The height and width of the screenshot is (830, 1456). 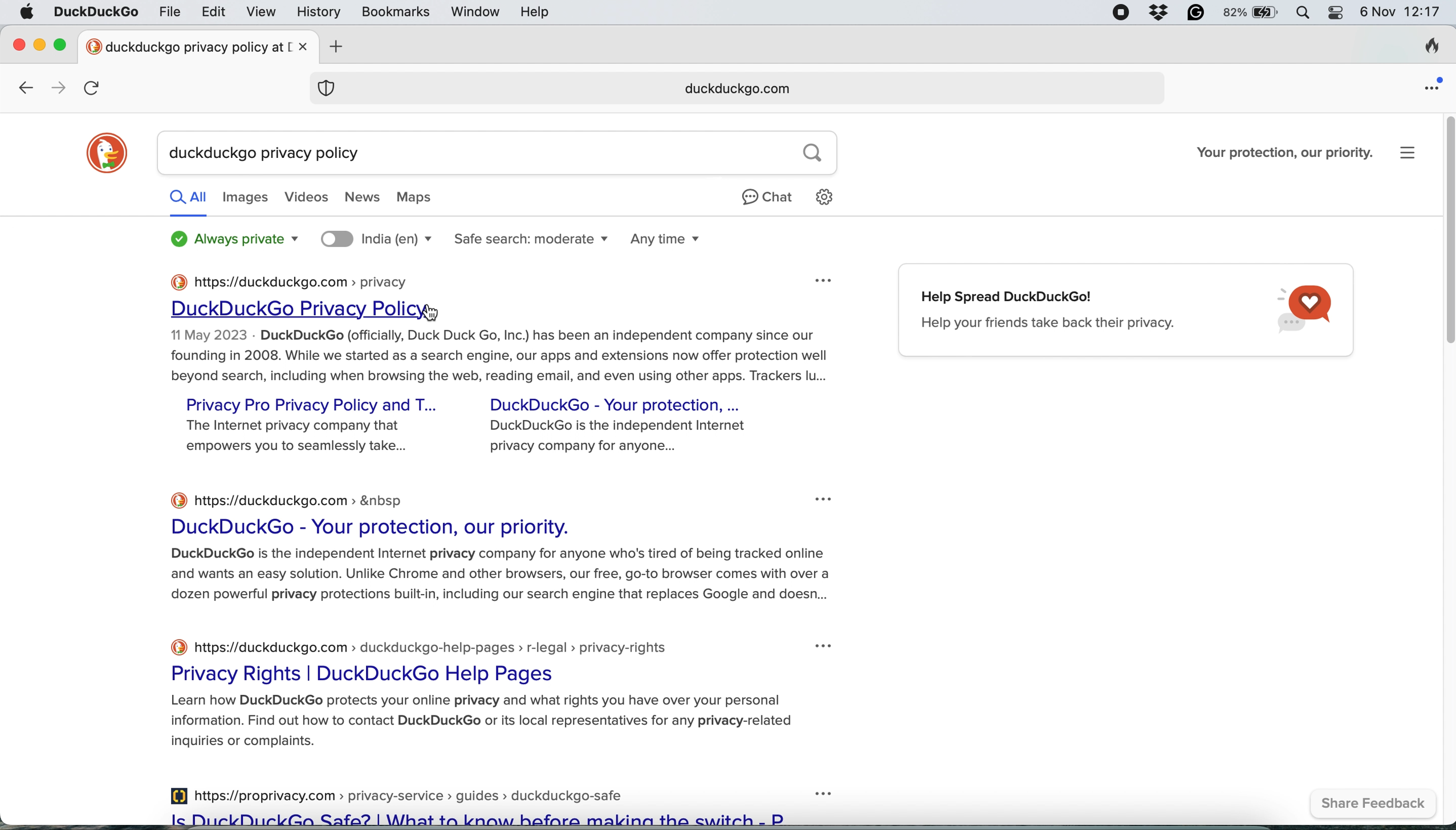 I want to click on edit, so click(x=213, y=13).